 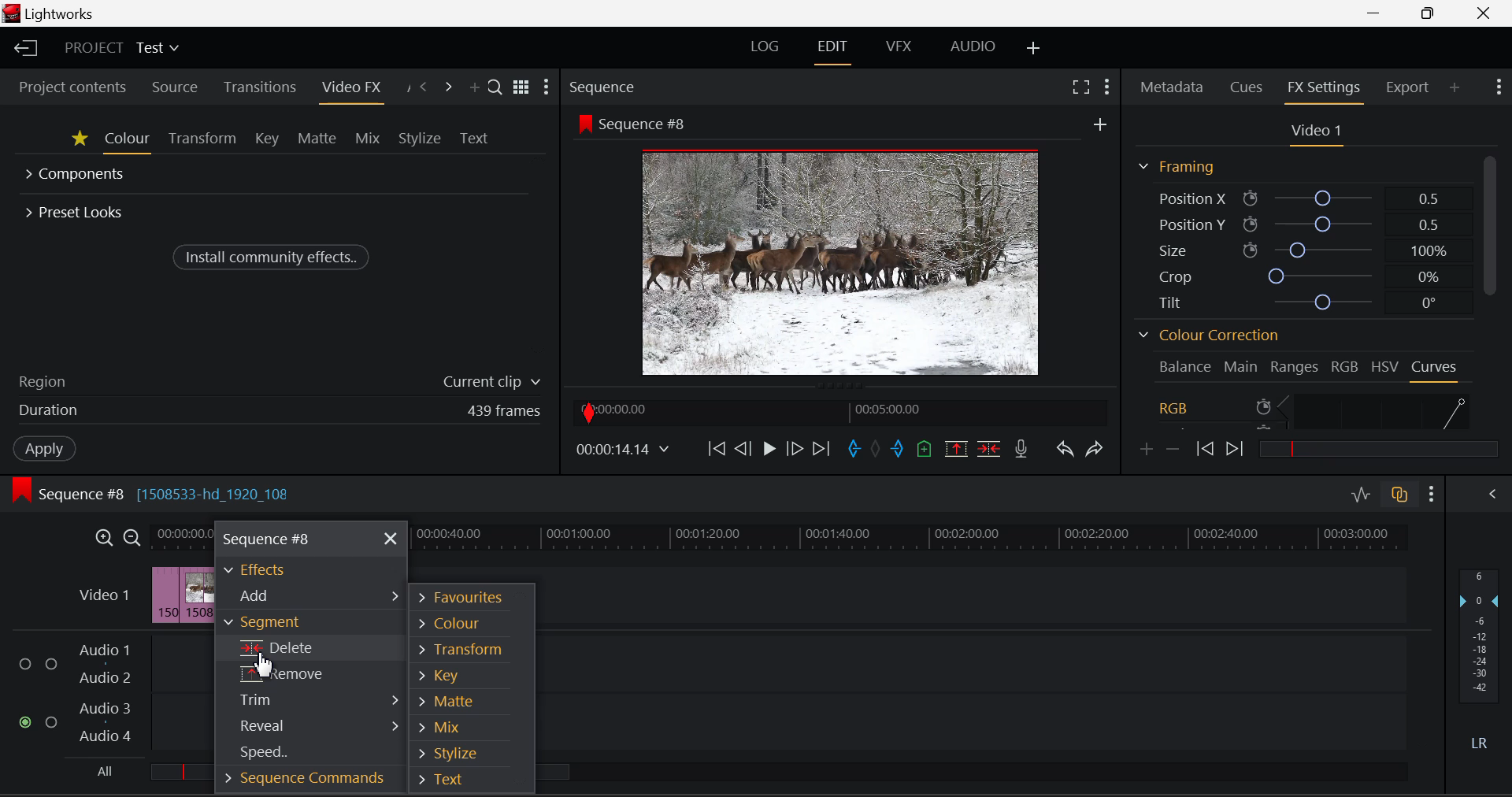 I want to click on Transform, so click(x=200, y=140).